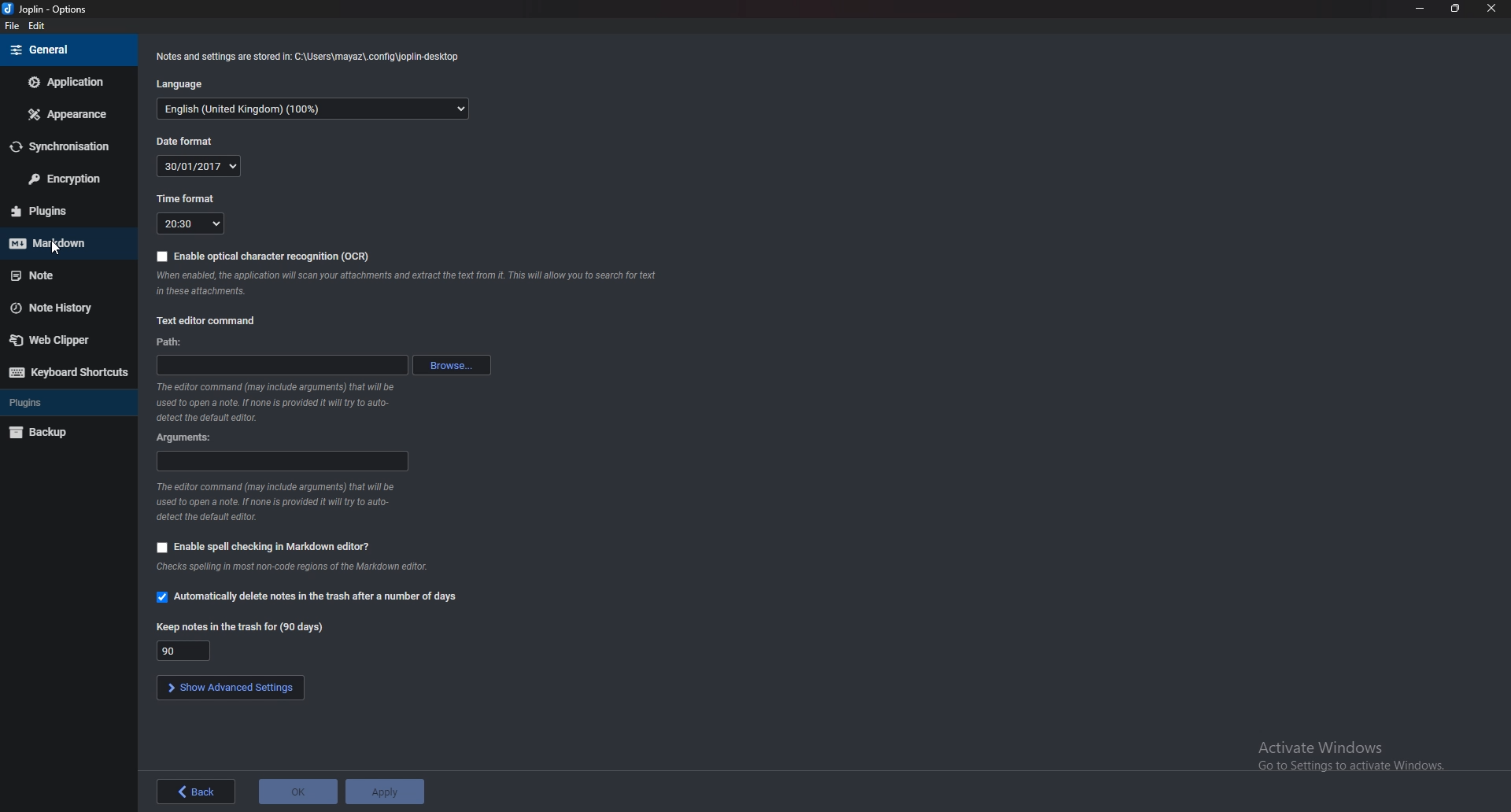 This screenshot has height=812, width=1511. What do you see at coordinates (264, 547) in the screenshot?
I see `Enable spell checking` at bounding box center [264, 547].